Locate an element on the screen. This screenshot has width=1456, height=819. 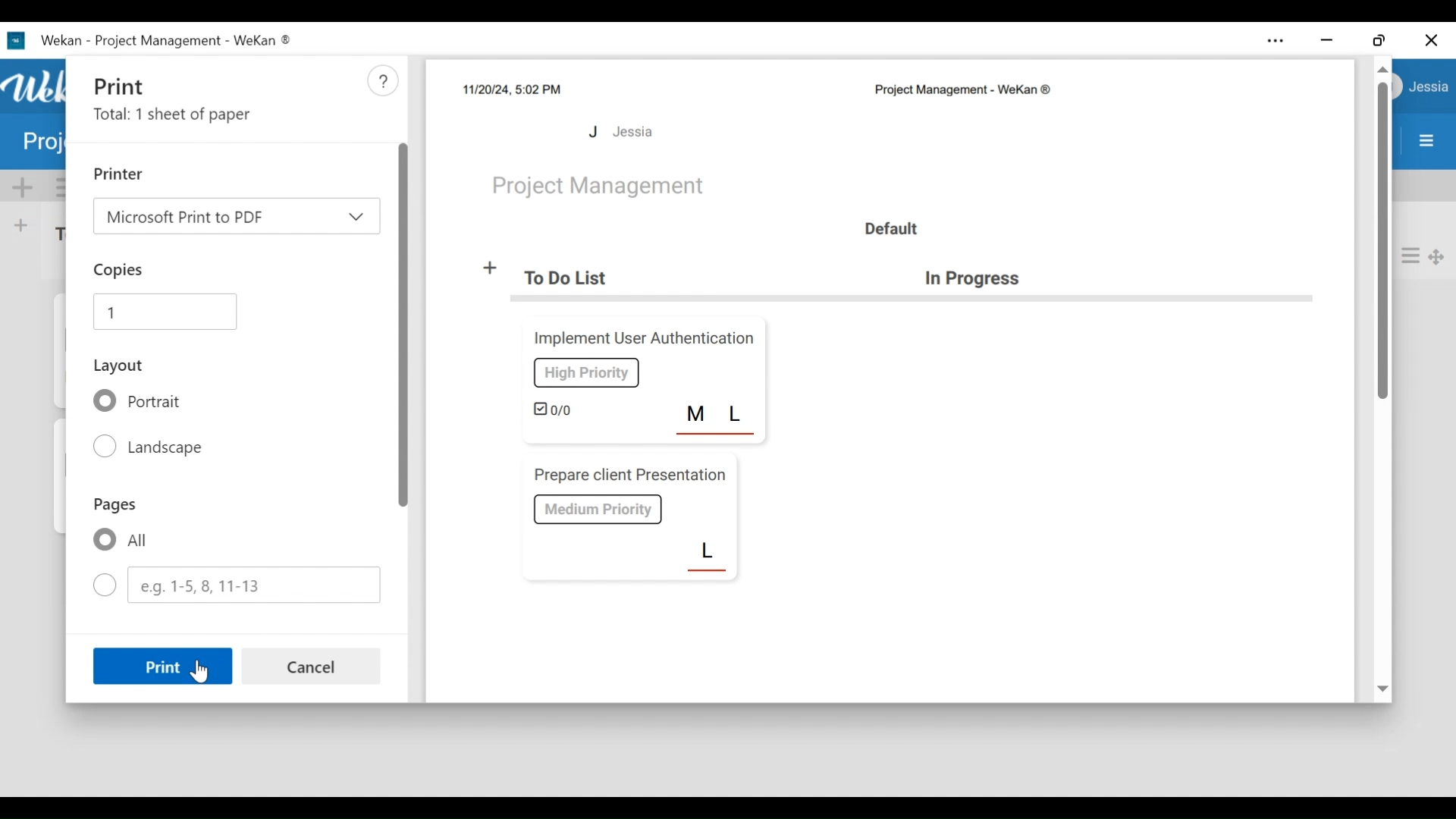
Add list is located at coordinates (492, 269).